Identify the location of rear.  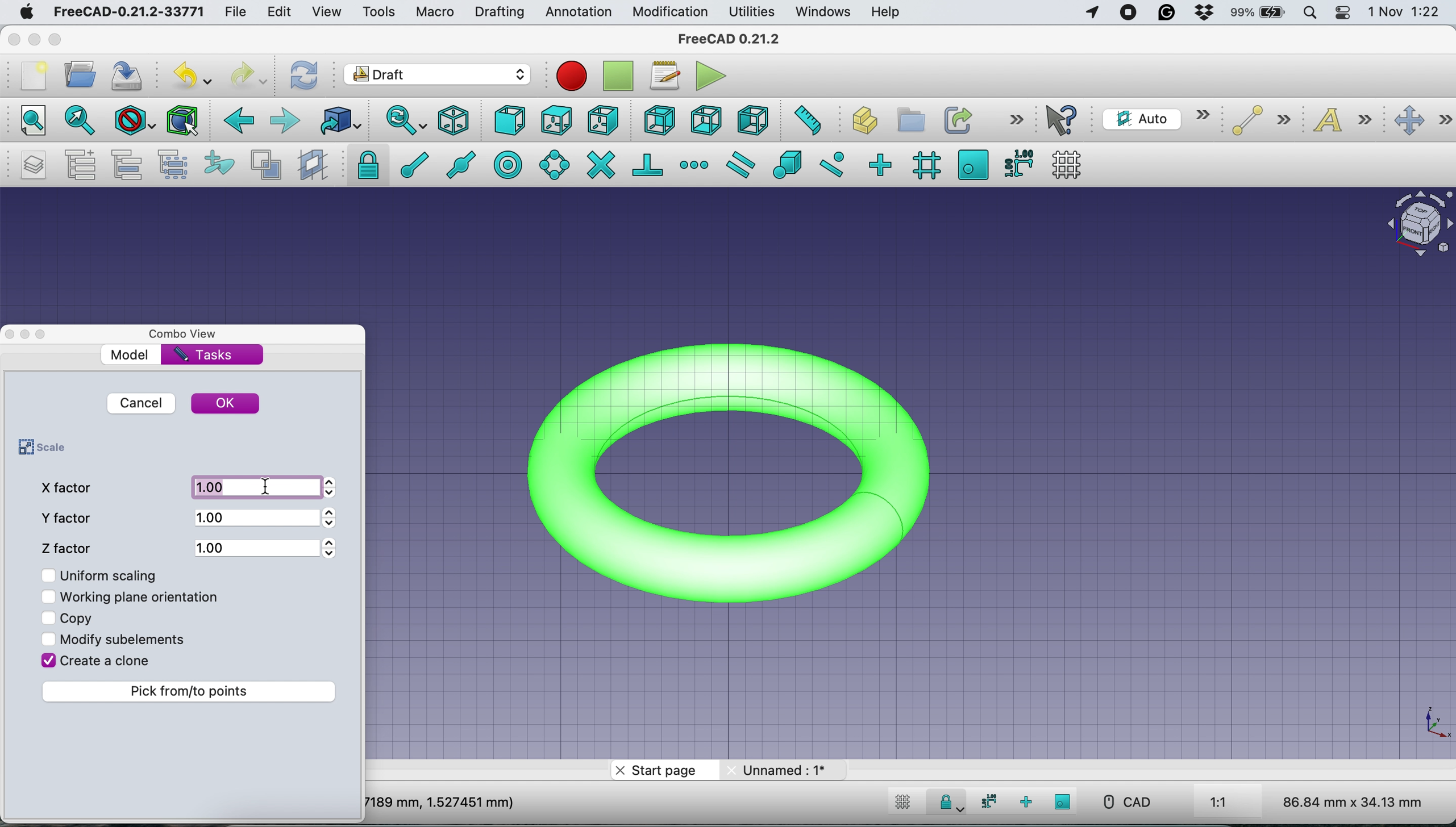
(658, 122).